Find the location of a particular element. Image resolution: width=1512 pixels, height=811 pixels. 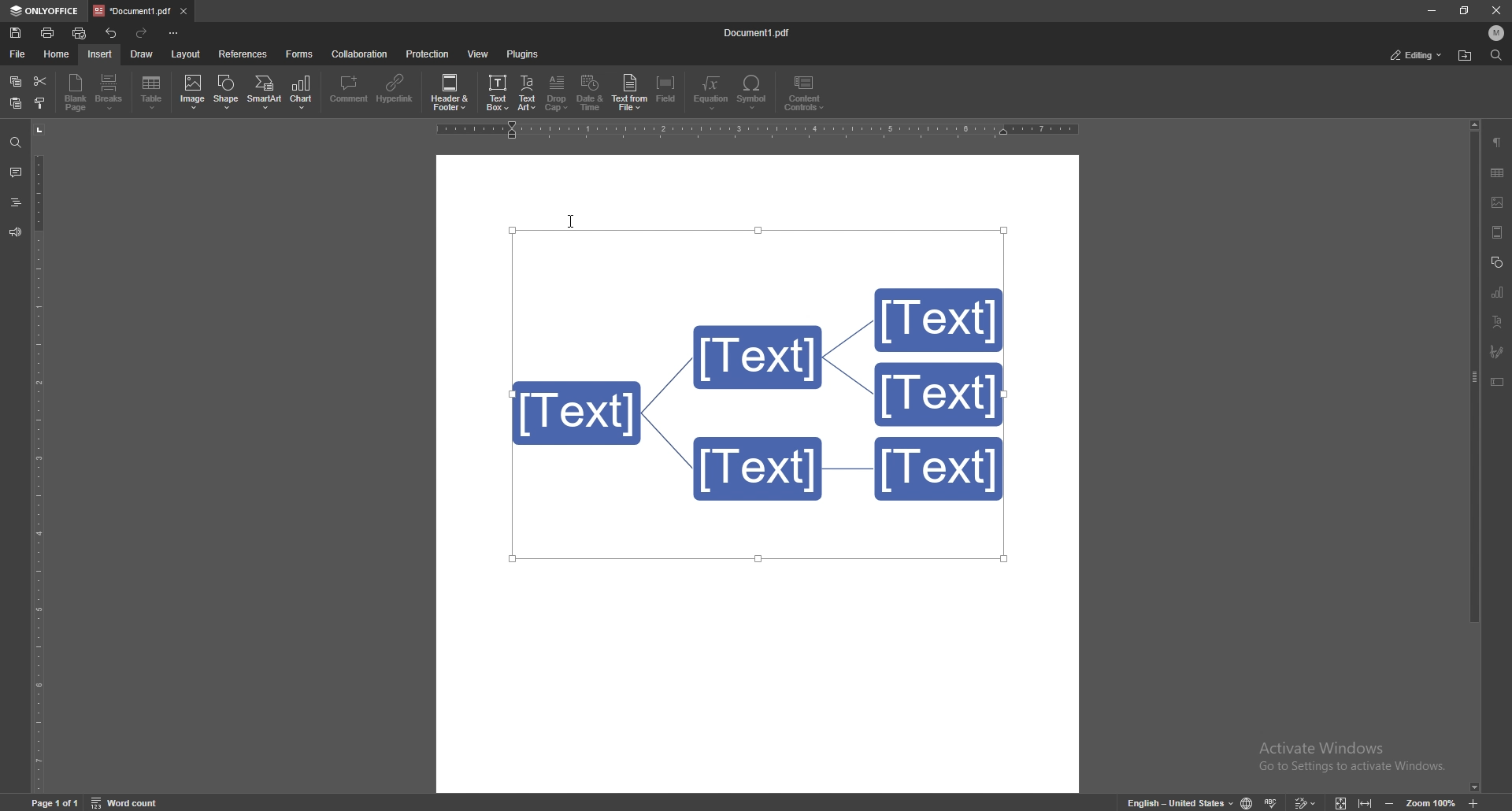

page is located at coordinates (57, 802).